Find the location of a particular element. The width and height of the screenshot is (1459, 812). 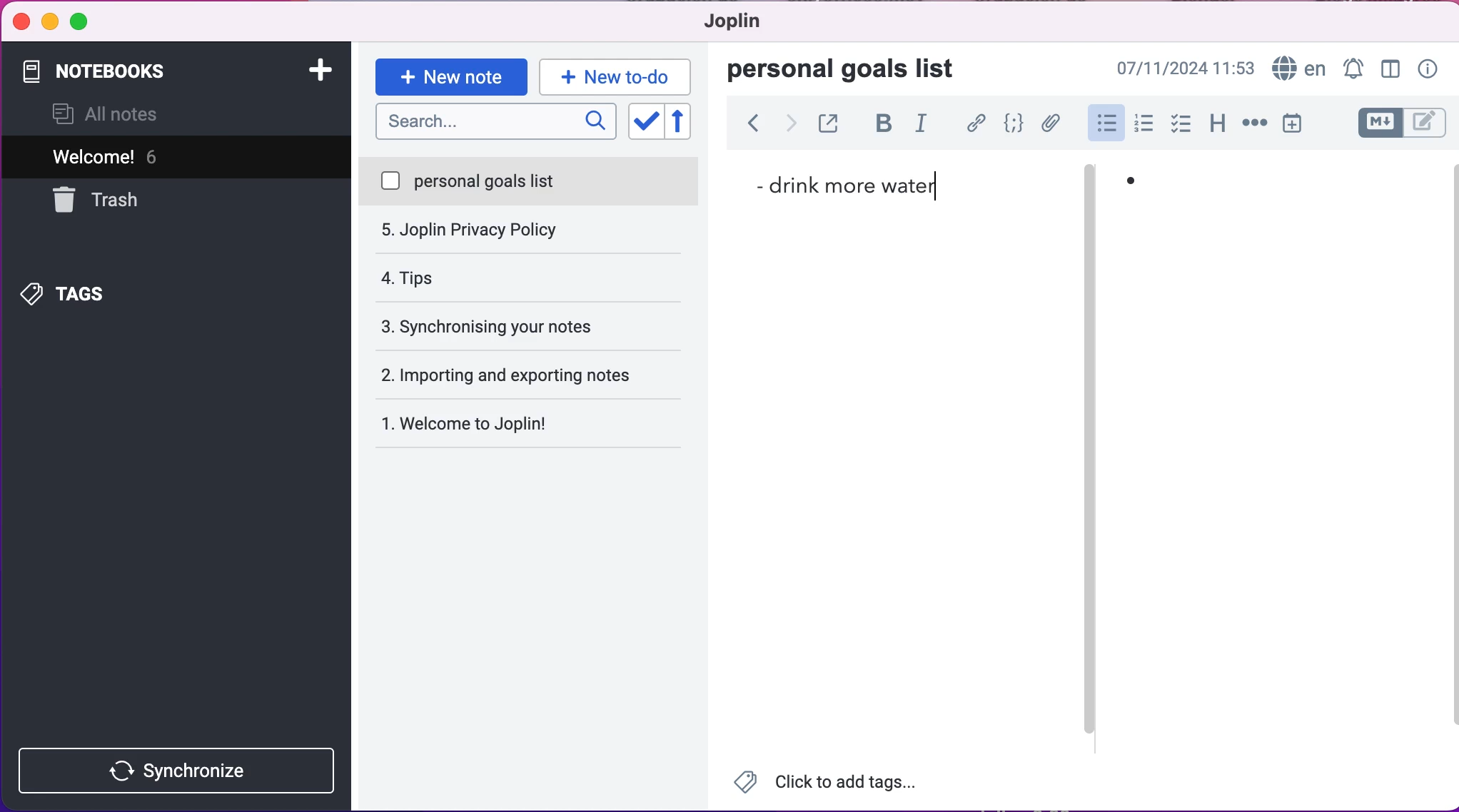

synchronising your notes is located at coordinates (530, 278).